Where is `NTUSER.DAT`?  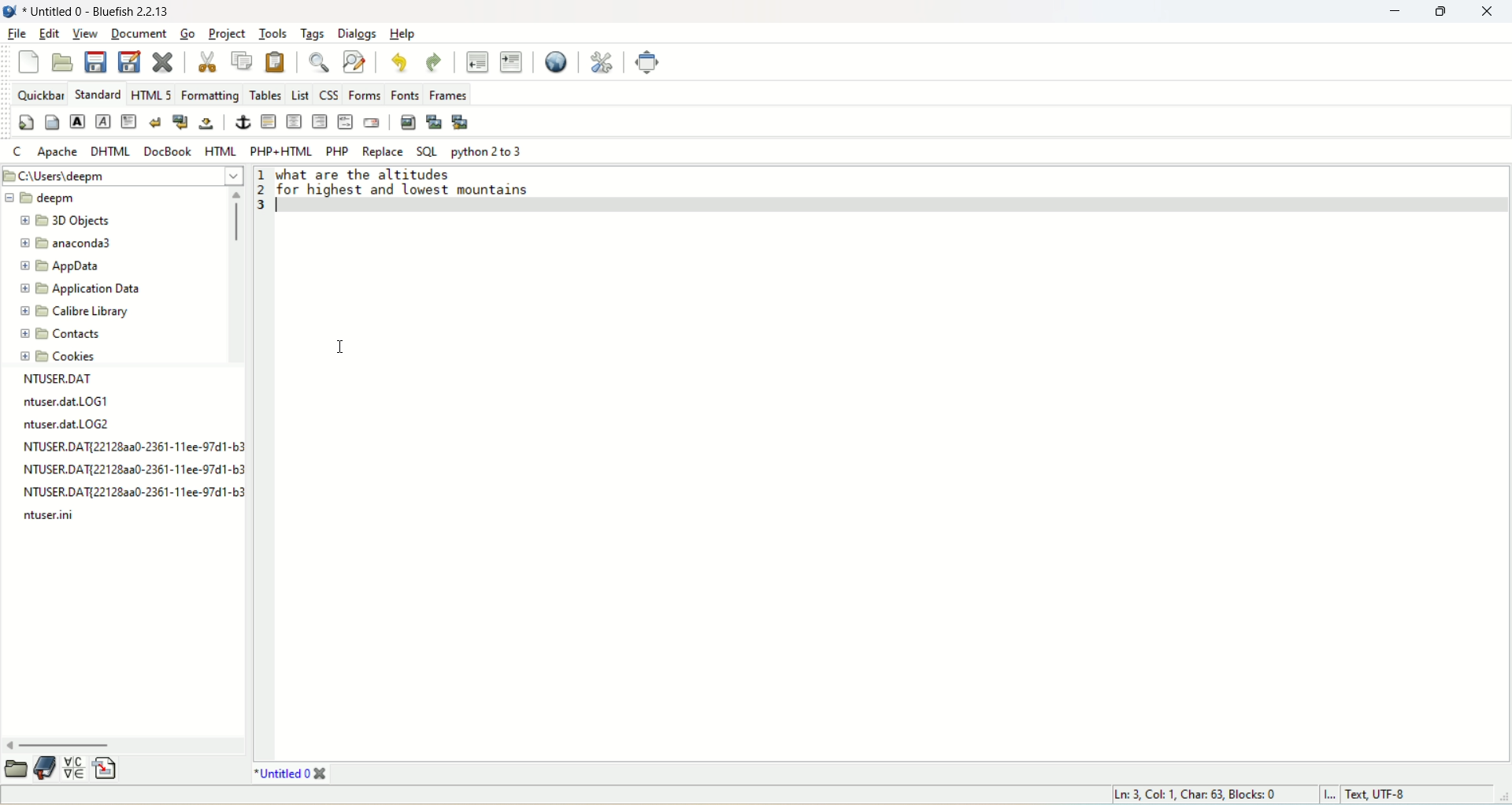 NTUSER.DAT is located at coordinates (65, 379).